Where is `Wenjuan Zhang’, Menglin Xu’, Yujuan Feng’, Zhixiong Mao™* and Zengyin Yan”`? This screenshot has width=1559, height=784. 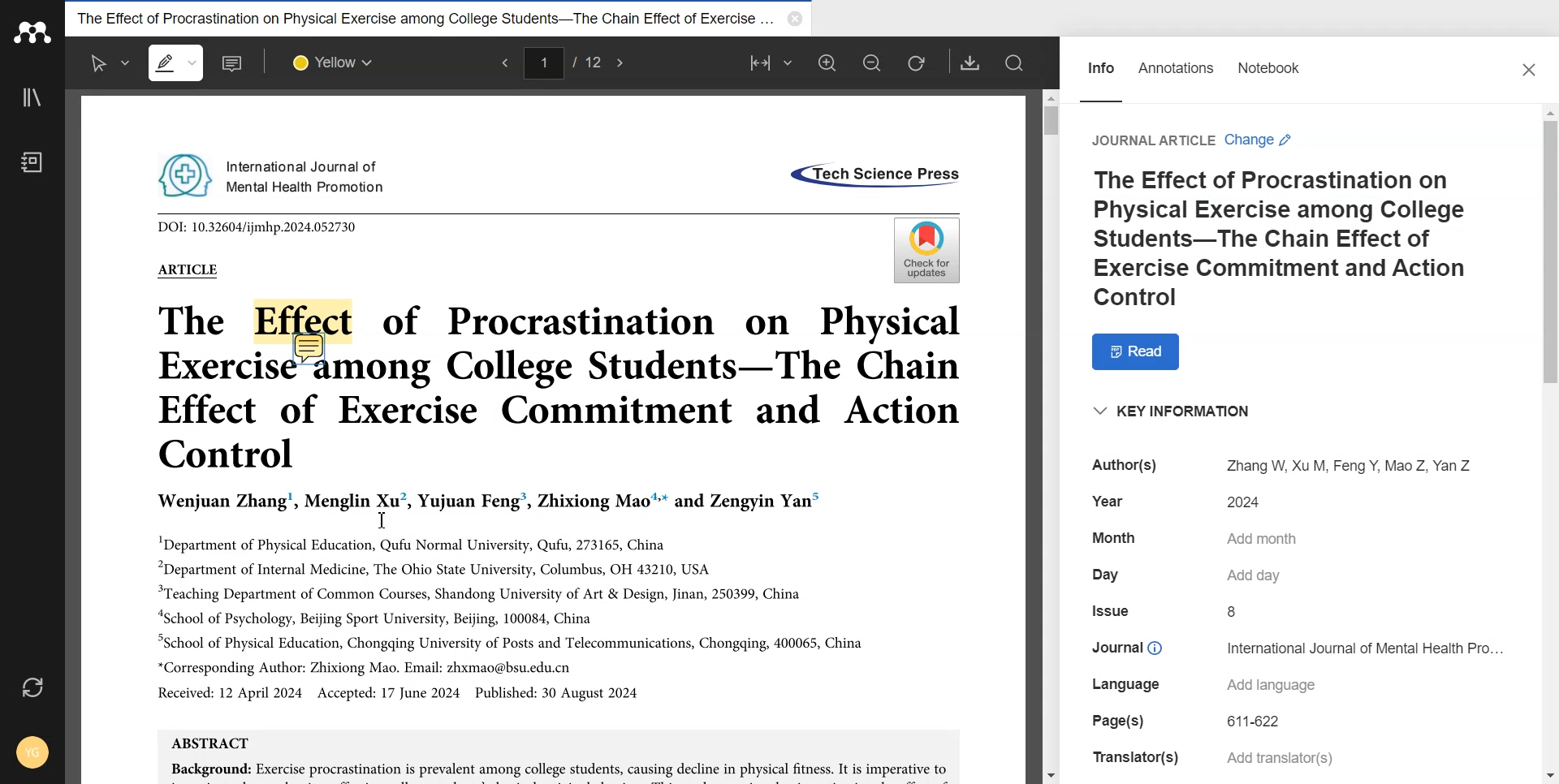
Wenjuan Zhang’, Menglin Xu’, Yujuan Feng’, Zhixiong Mao™* and Zengyin Yan” is located at coordinates (489, 502).